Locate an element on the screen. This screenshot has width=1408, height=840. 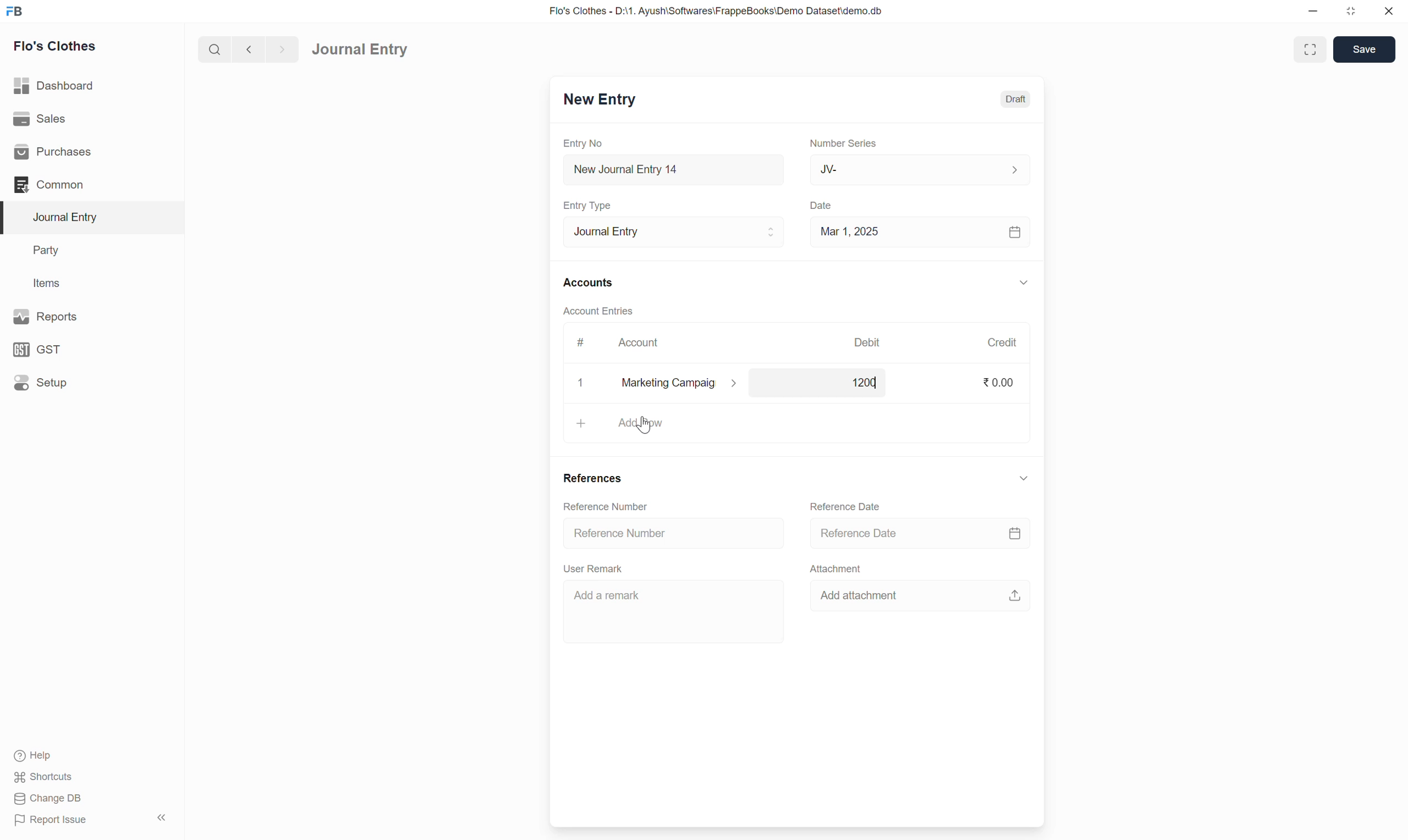
Draft is located at coordinates (1017, 98).